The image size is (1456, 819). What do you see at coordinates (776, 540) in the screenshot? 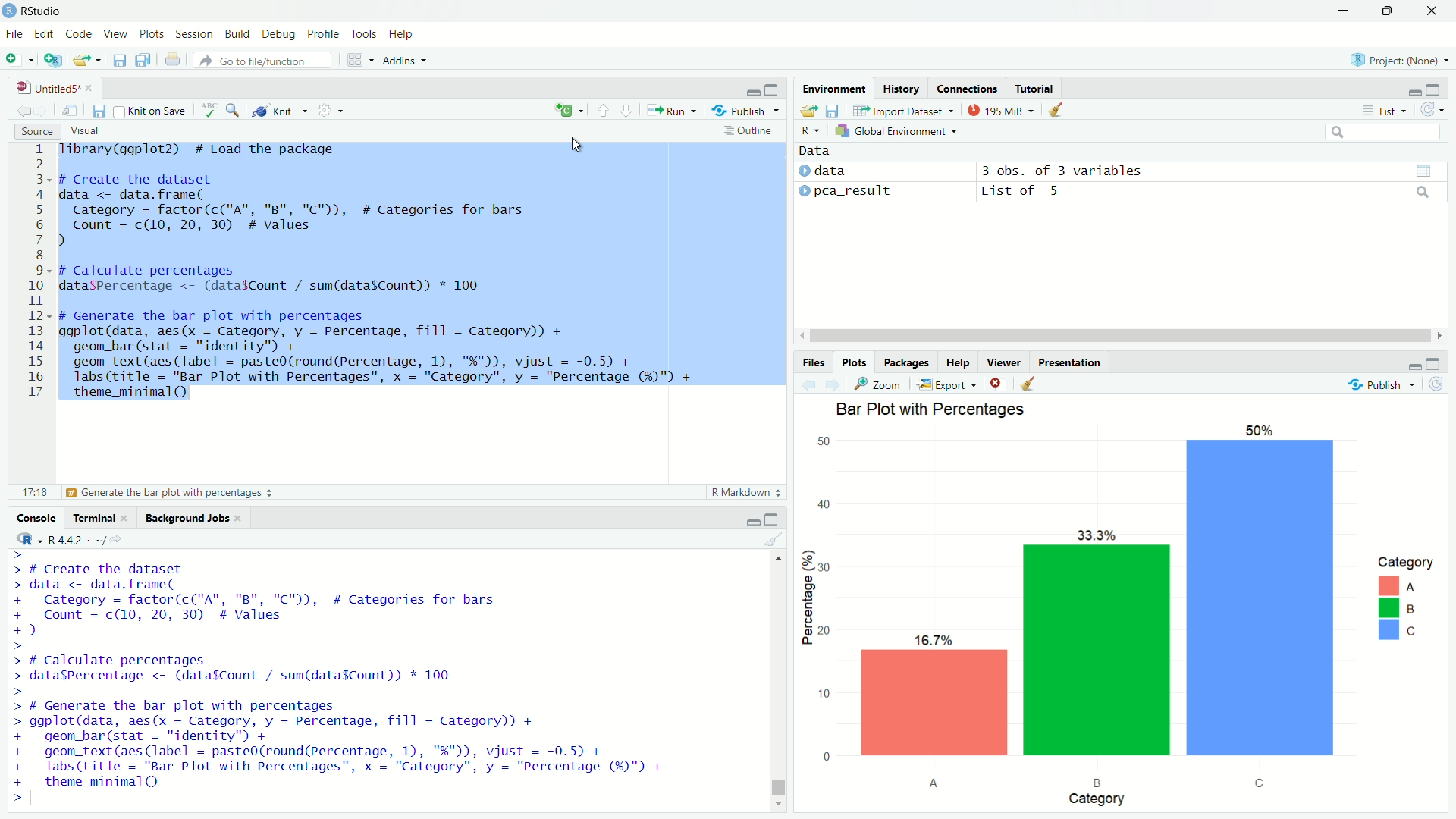
I see `clear console` at bounding box center [776, 540].